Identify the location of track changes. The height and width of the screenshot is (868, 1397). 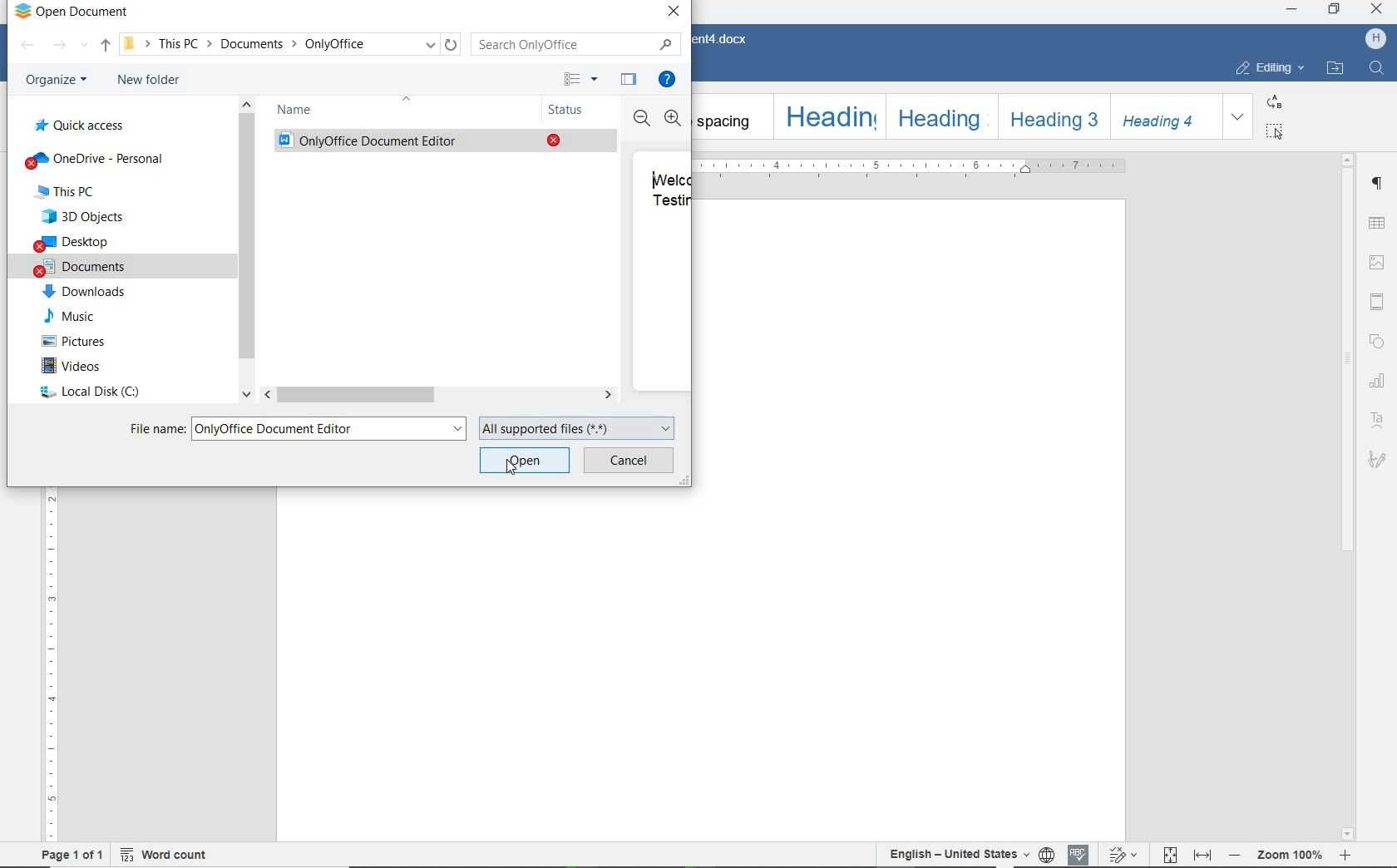
(1124, 854).